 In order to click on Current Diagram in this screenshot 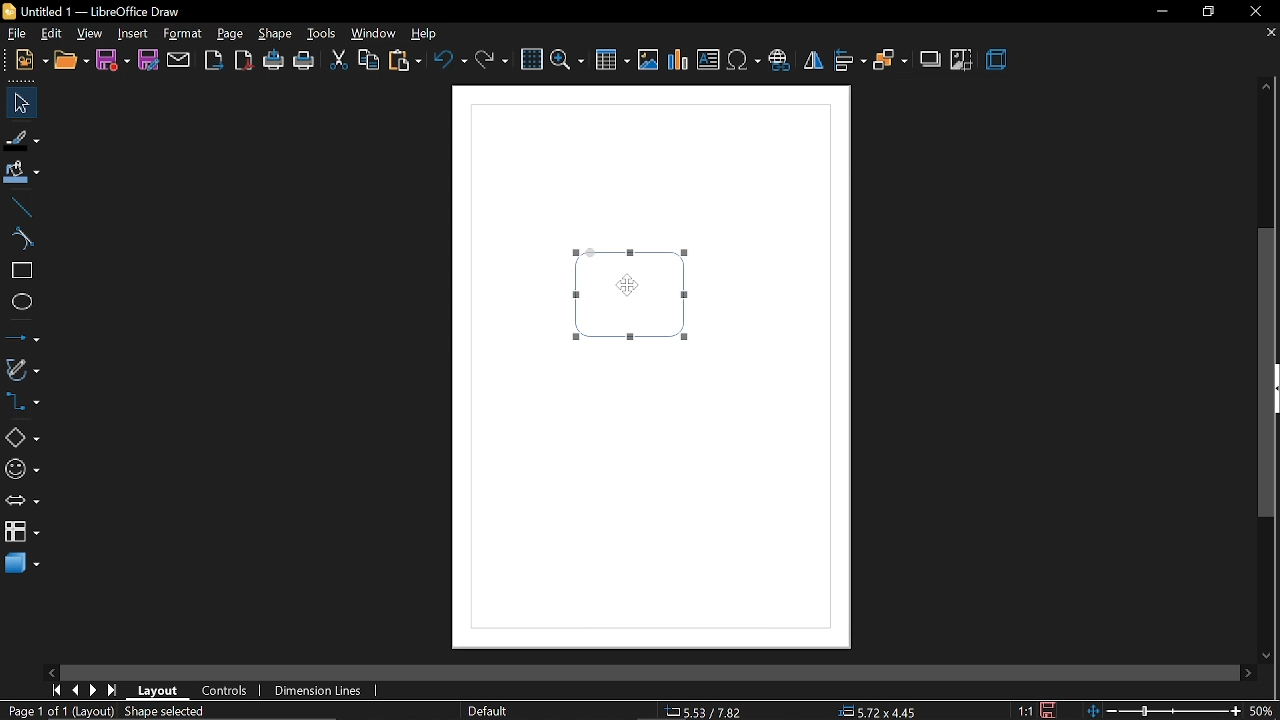, I will do `click(632, 295)`.